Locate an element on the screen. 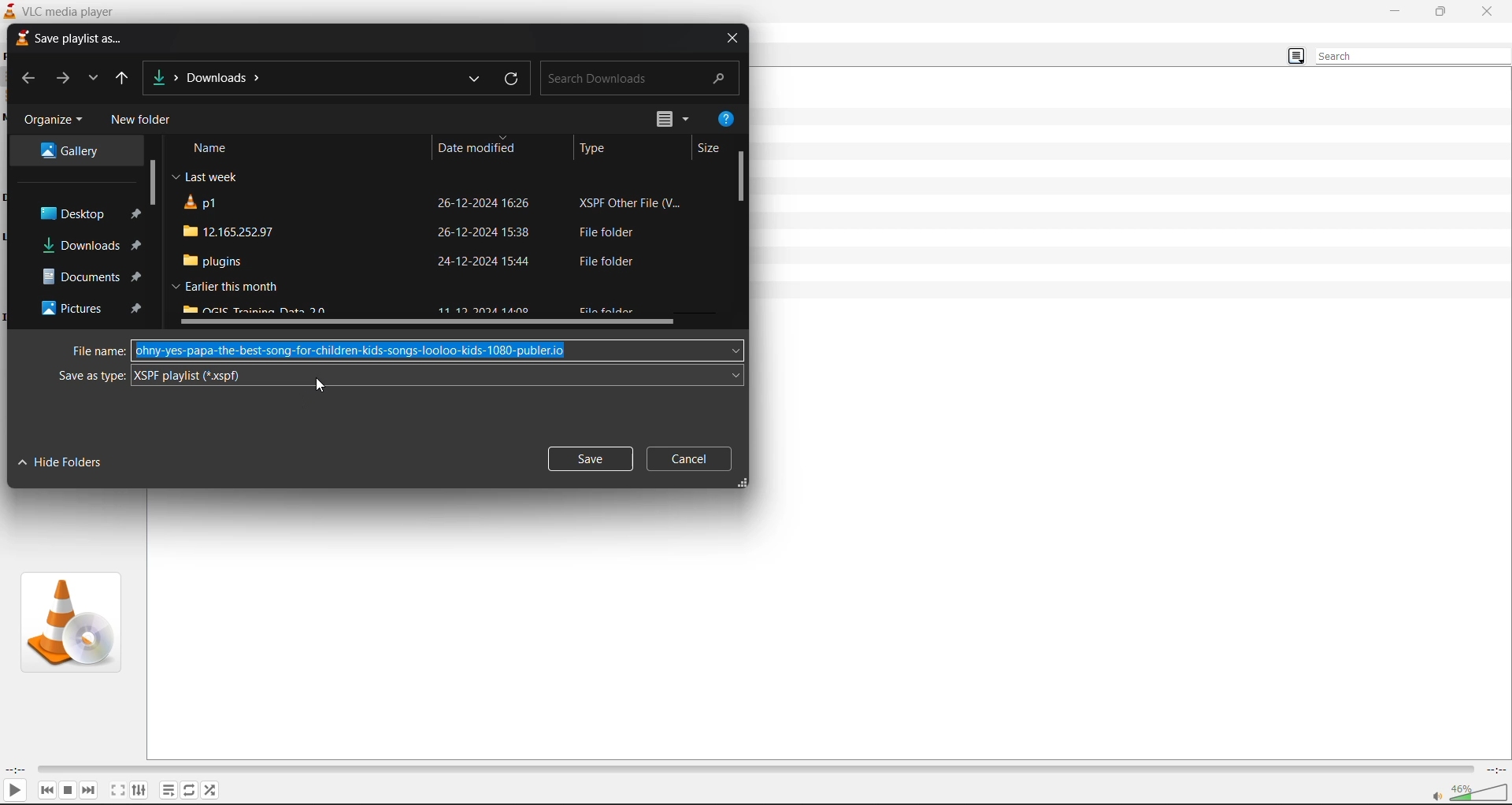 This screenshot has width=1512, height=805. close is located at coordinates (730, 39).